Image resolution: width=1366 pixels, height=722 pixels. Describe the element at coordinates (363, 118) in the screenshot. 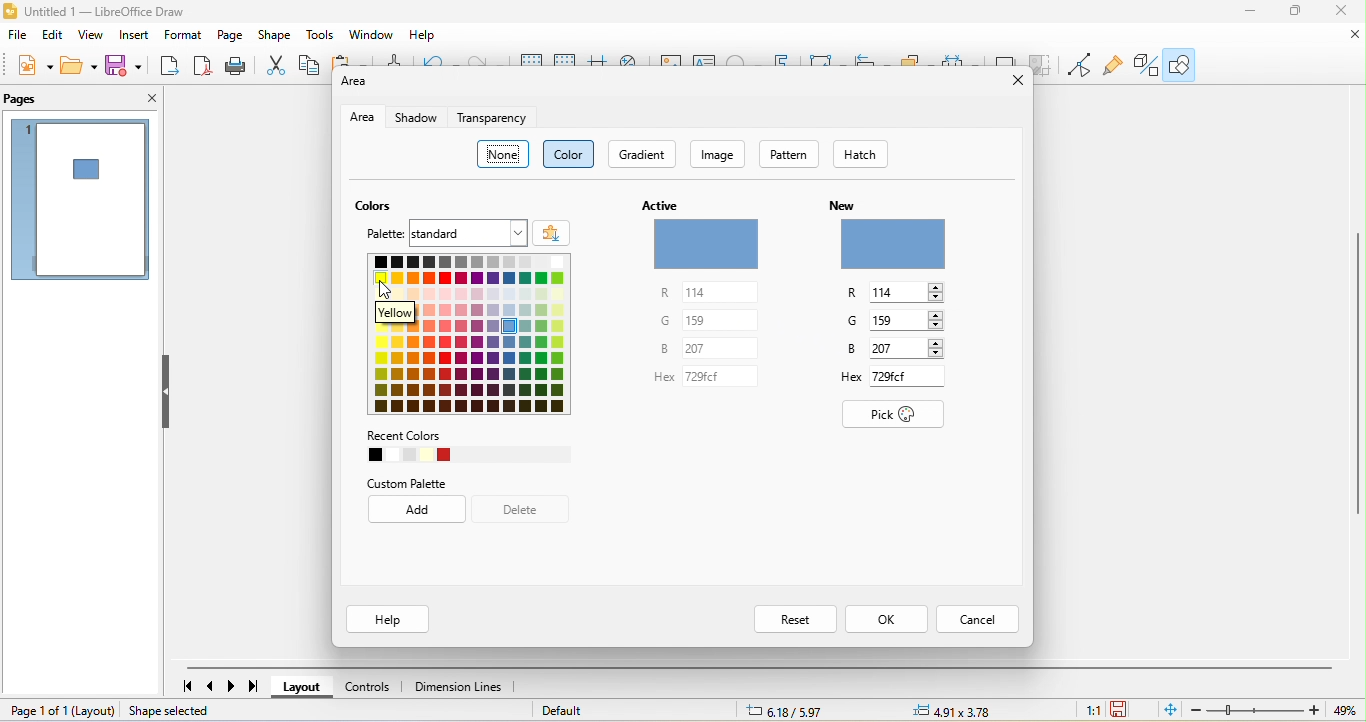

I see `area` at that location.